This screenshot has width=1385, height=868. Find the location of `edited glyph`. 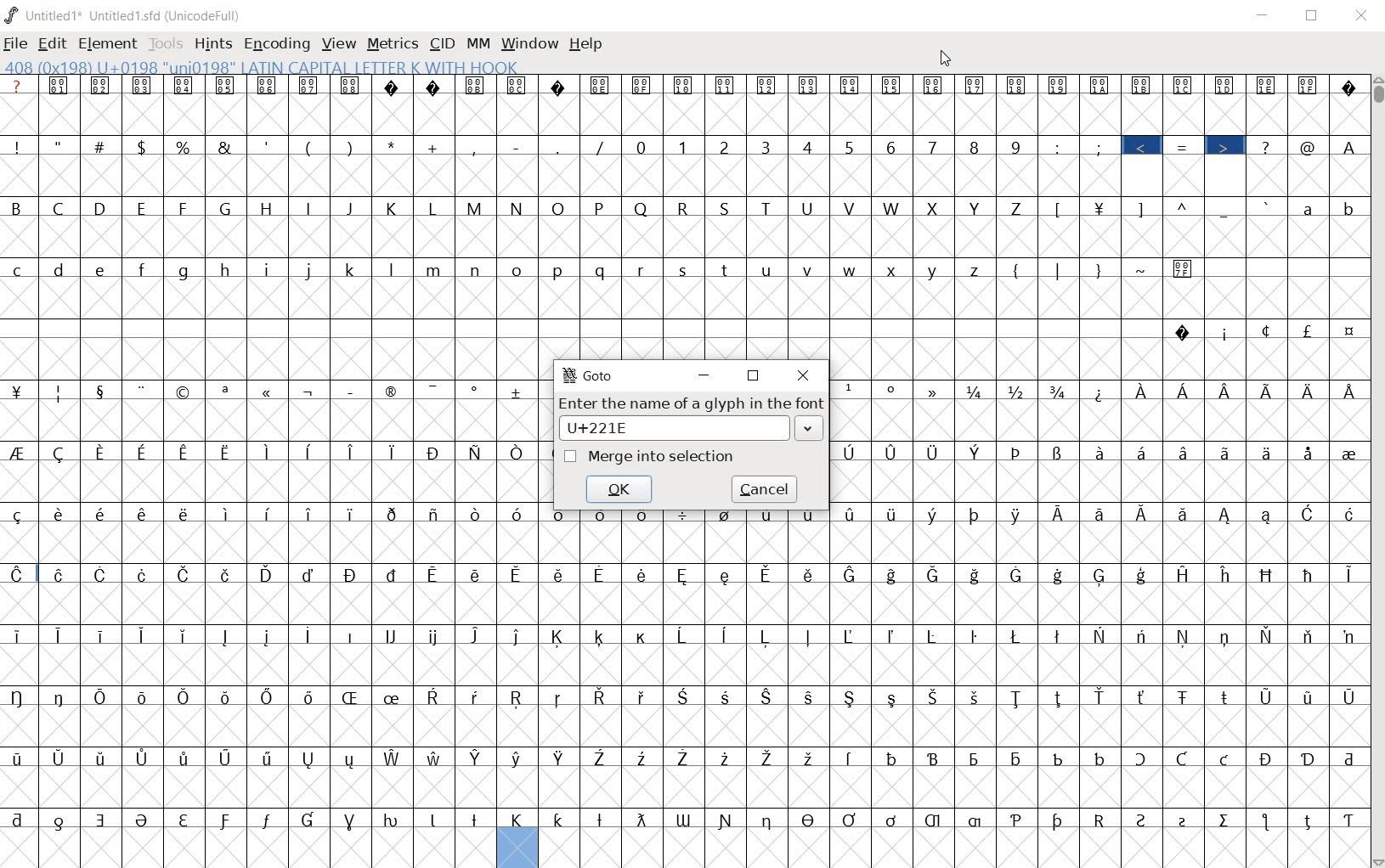

edited glyph is located at coordinates (517, 848).